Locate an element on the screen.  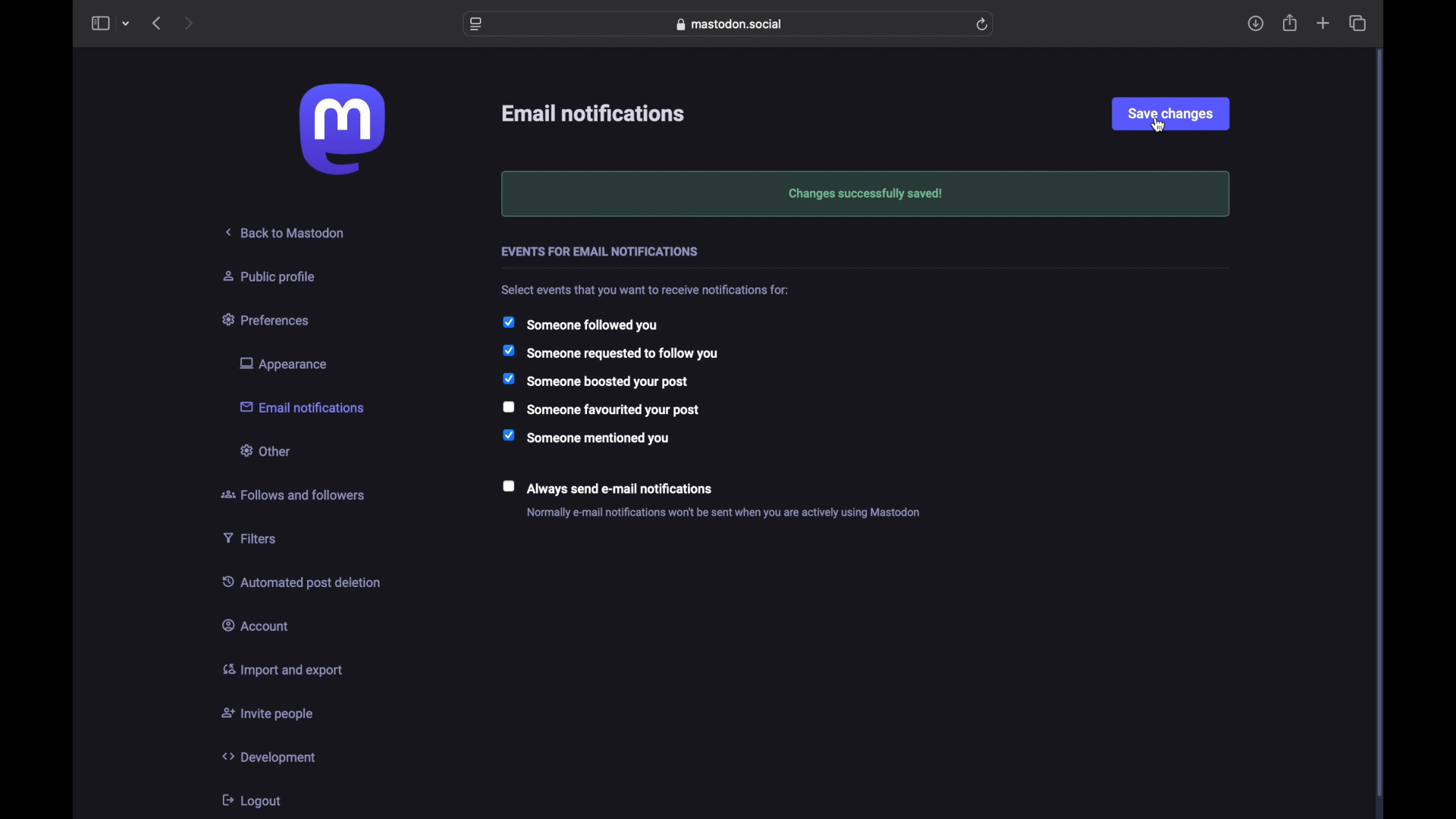
account is located at coordinates (256, 624).